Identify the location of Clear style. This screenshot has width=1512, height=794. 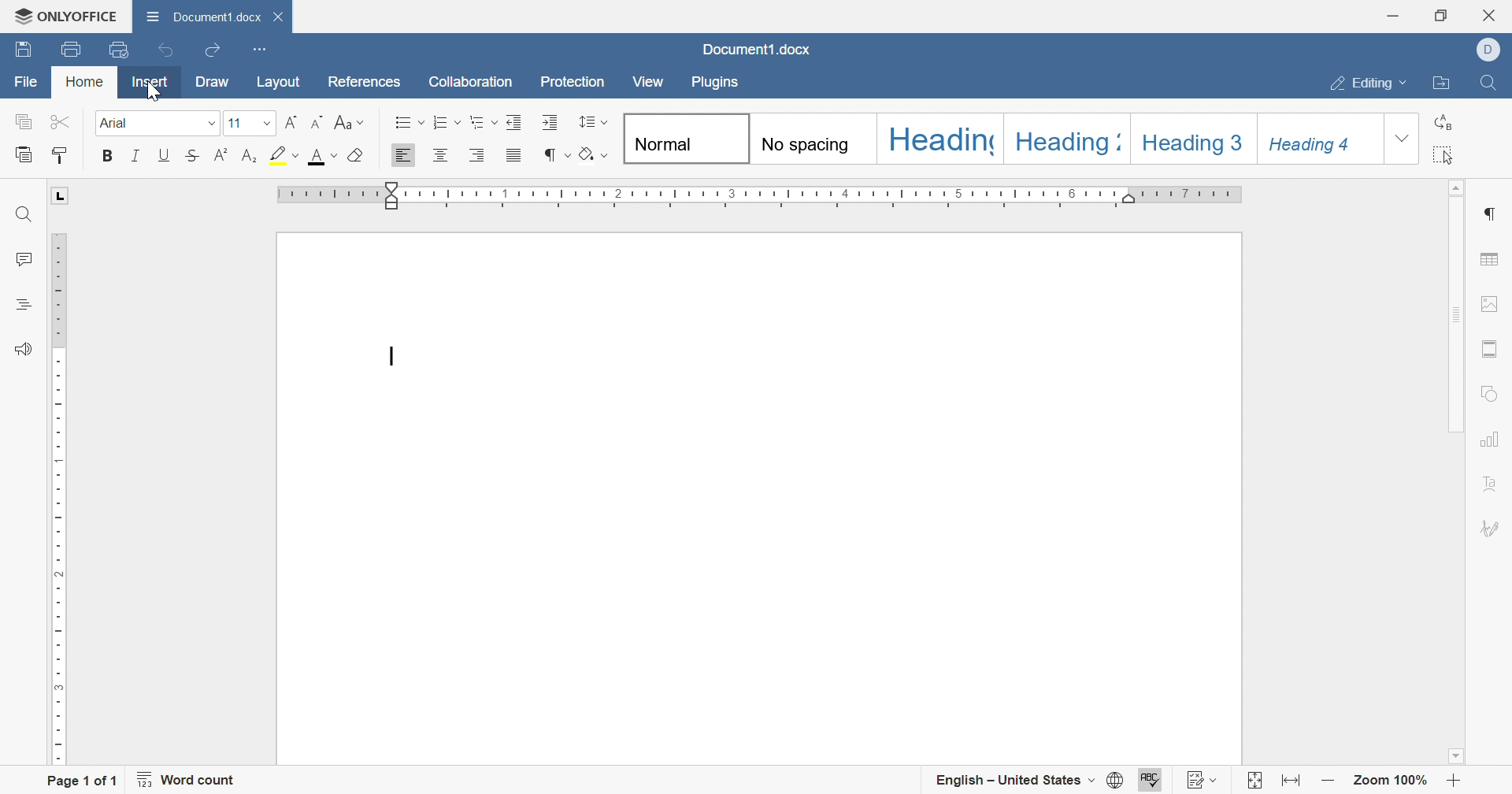
(354, 157).